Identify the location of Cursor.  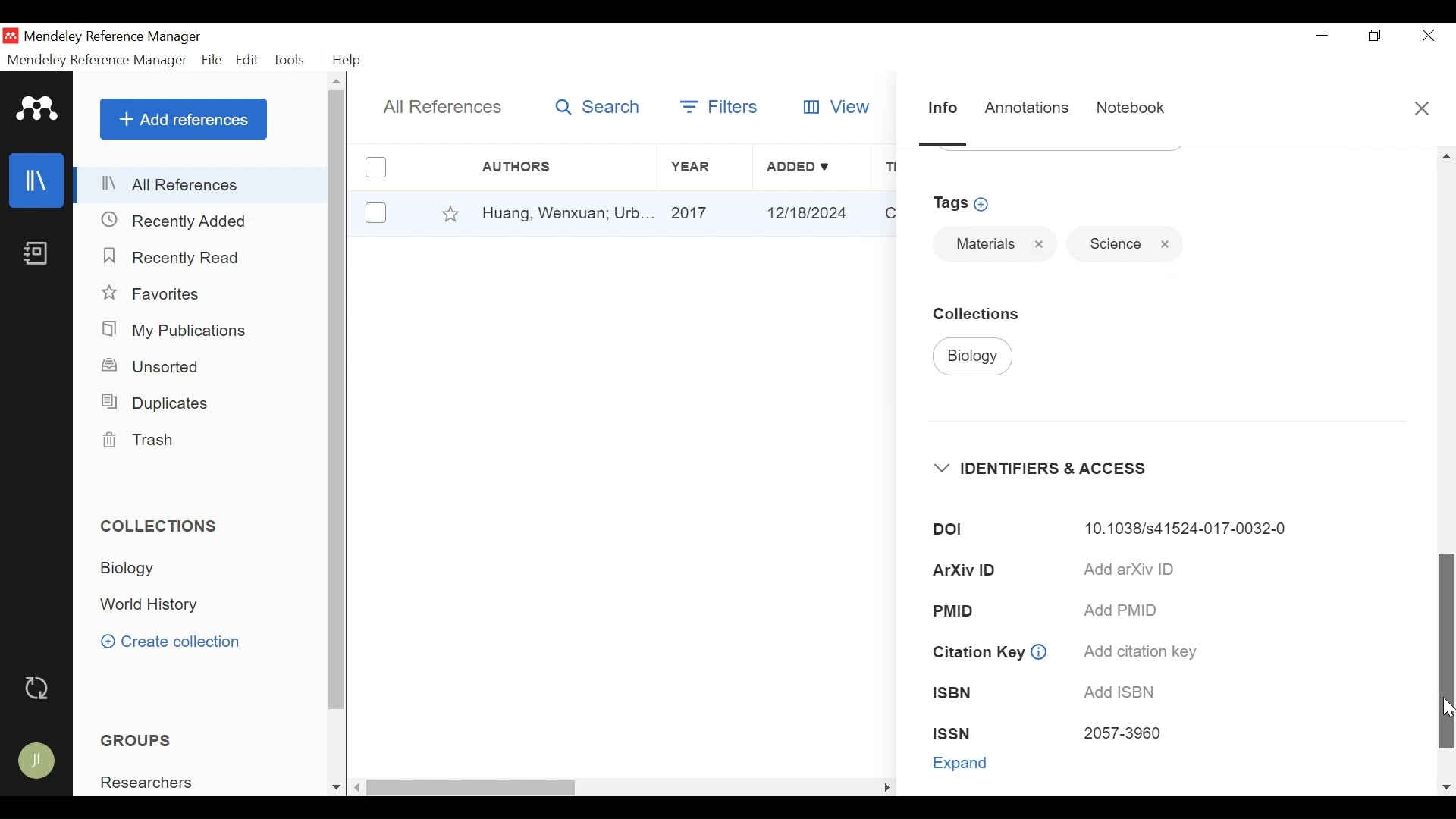
(1447, 708).